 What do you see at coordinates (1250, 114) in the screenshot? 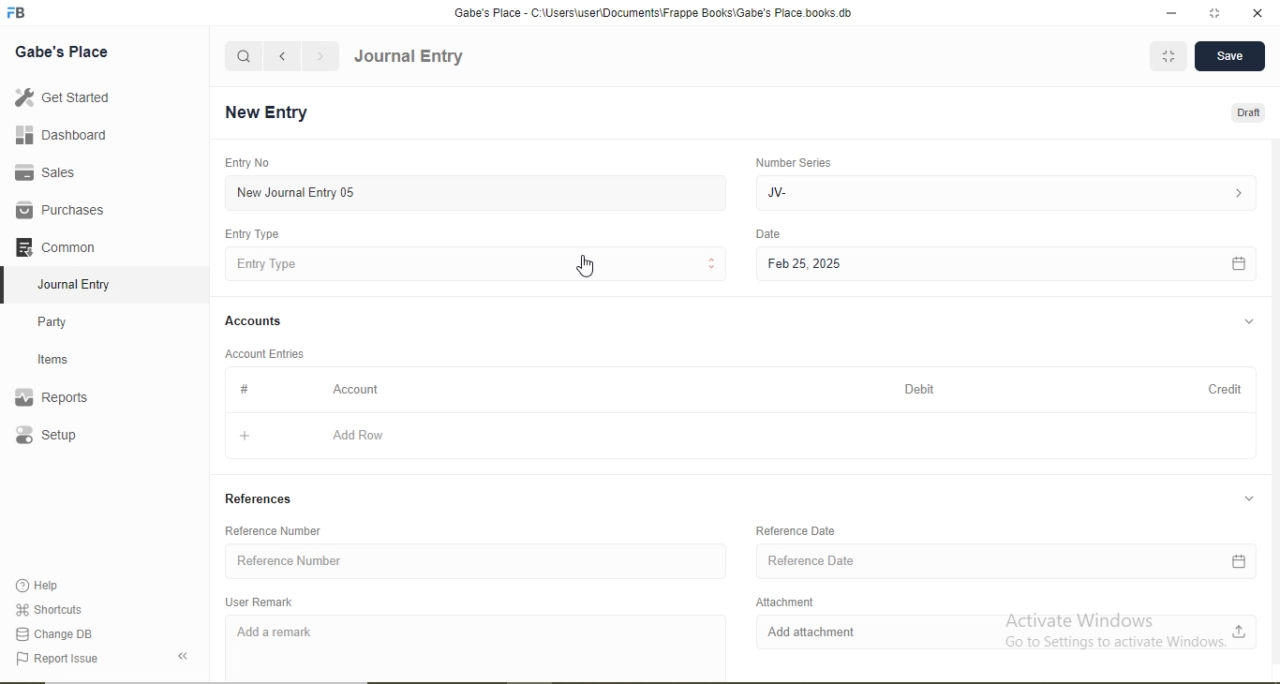
I see `Draft` at bounding box center [1250, 114].